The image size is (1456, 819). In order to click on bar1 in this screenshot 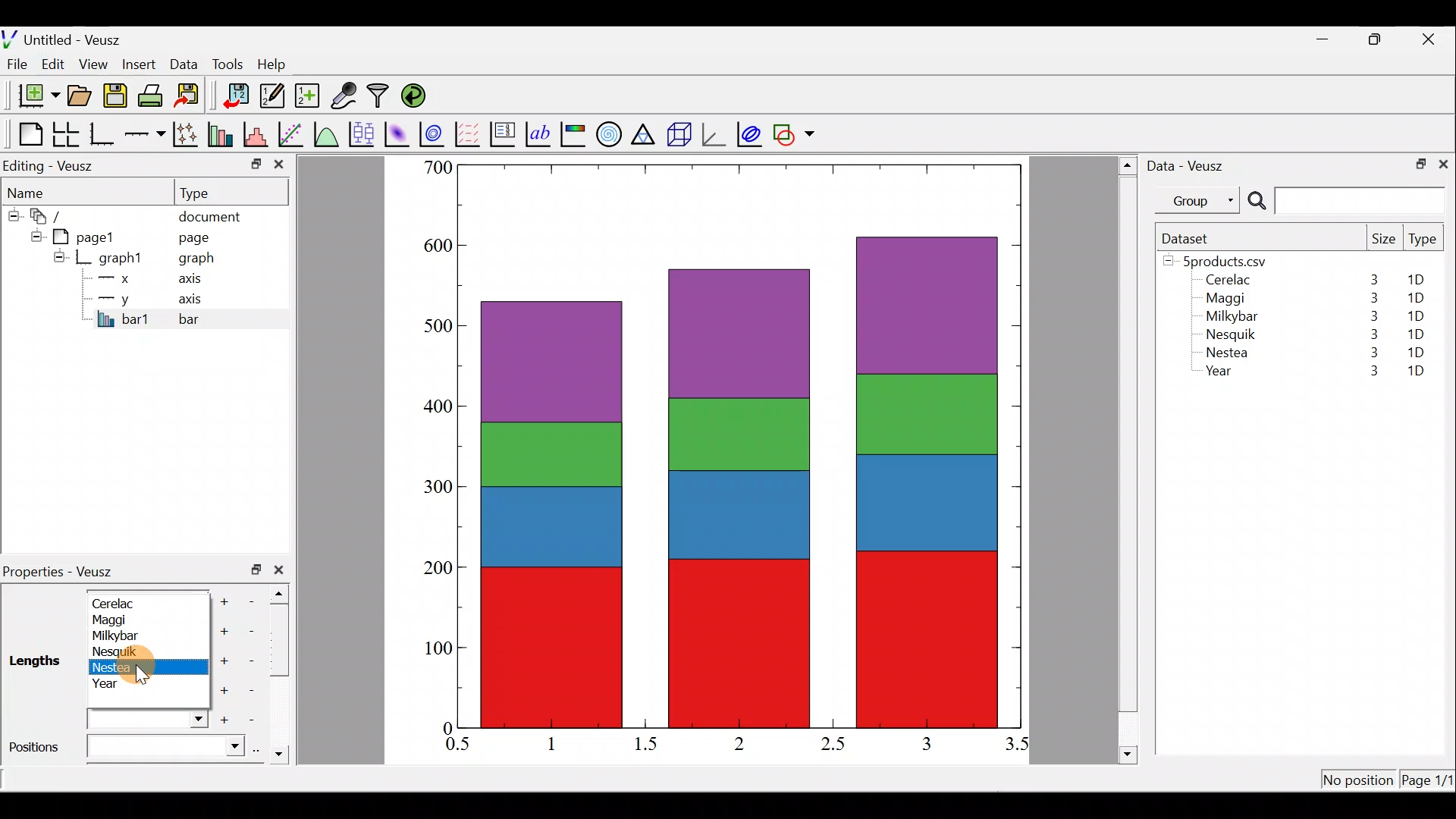, I will do `click(124, 318)`.